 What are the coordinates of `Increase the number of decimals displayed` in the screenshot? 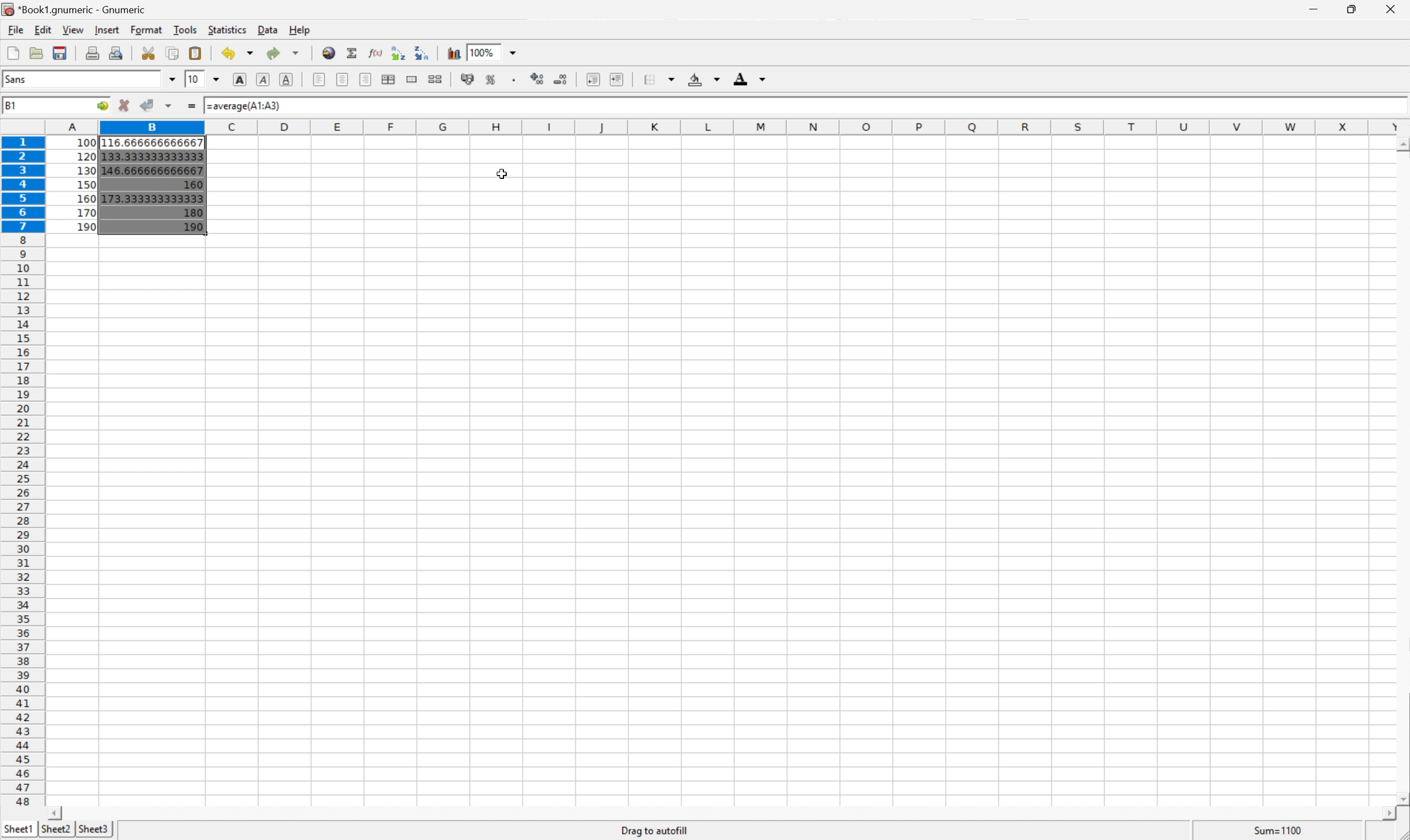 It's located at (539, 79).